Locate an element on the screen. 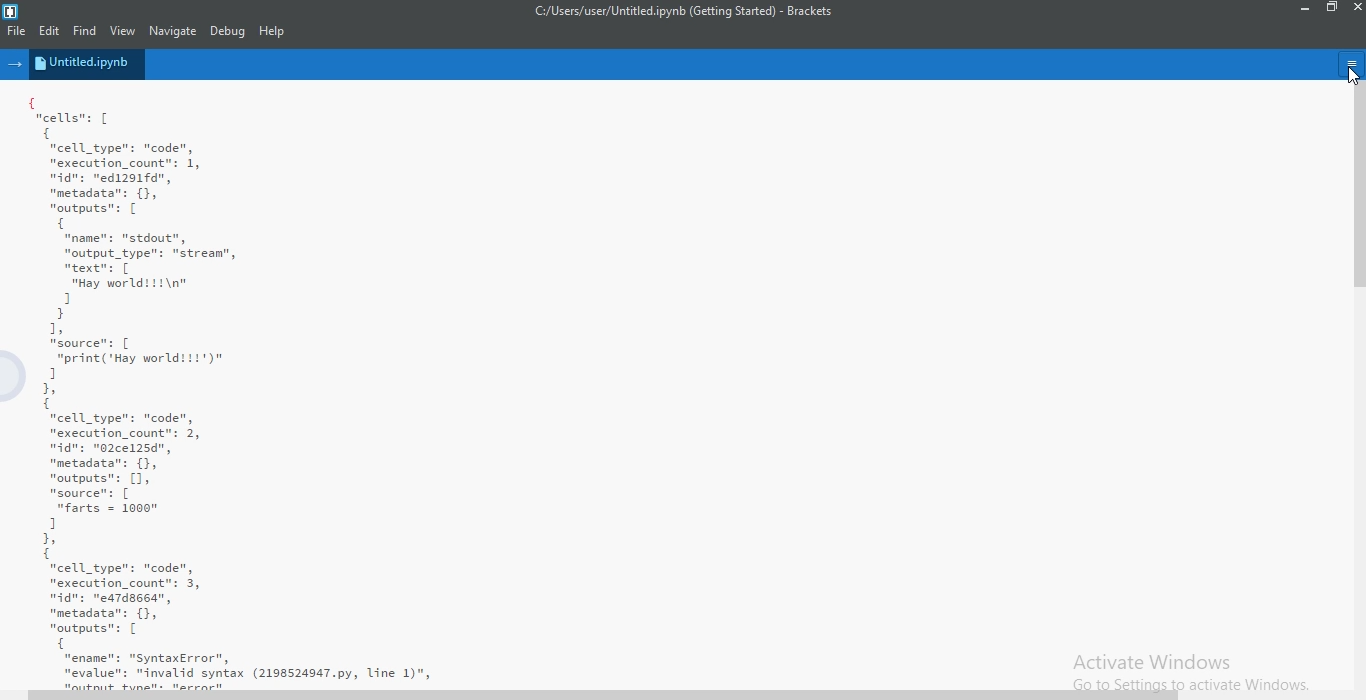  File is located at coordinates (16, 32).